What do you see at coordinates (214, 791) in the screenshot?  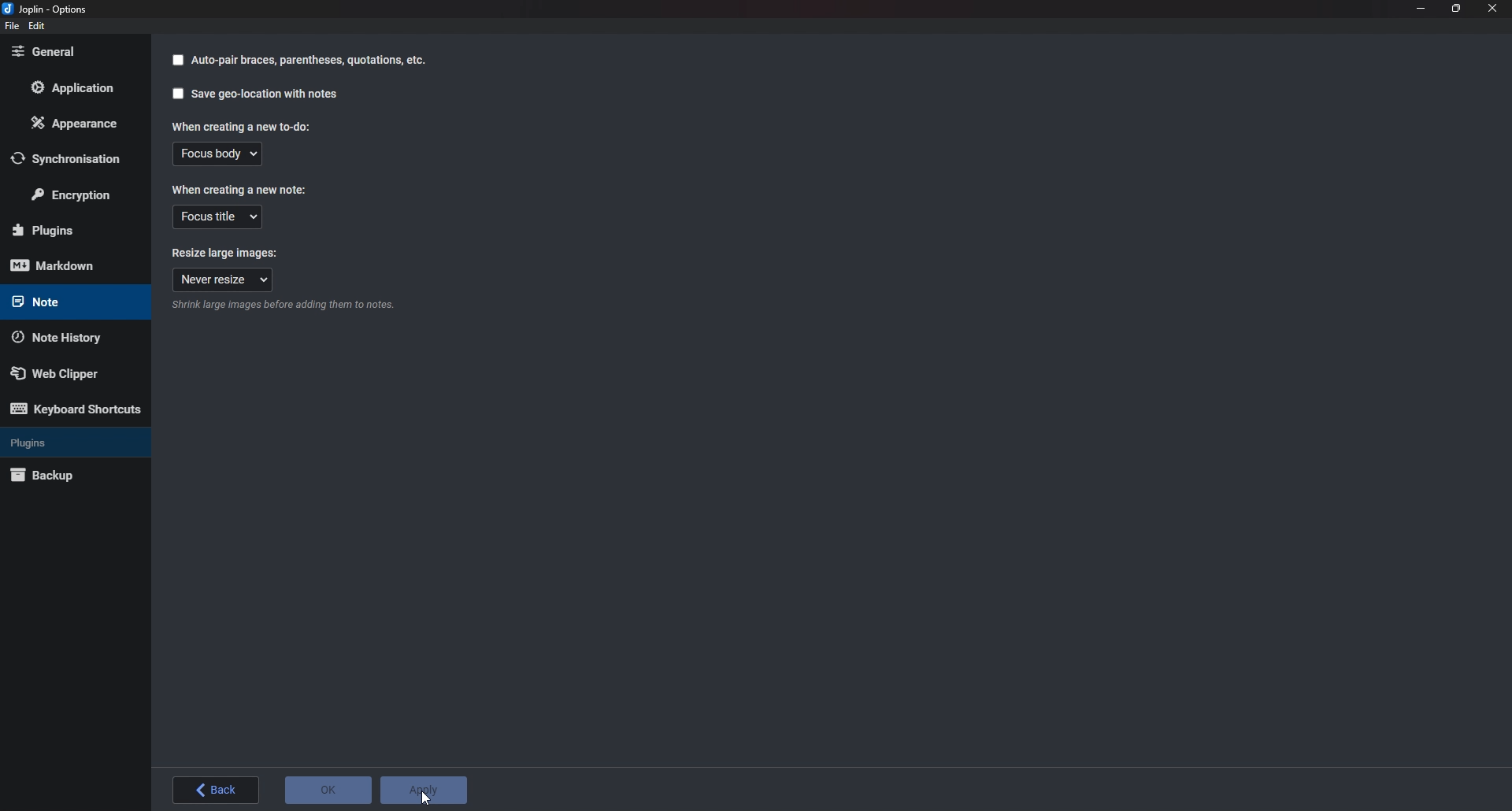 I see `back` at bounding box center [214, 791].